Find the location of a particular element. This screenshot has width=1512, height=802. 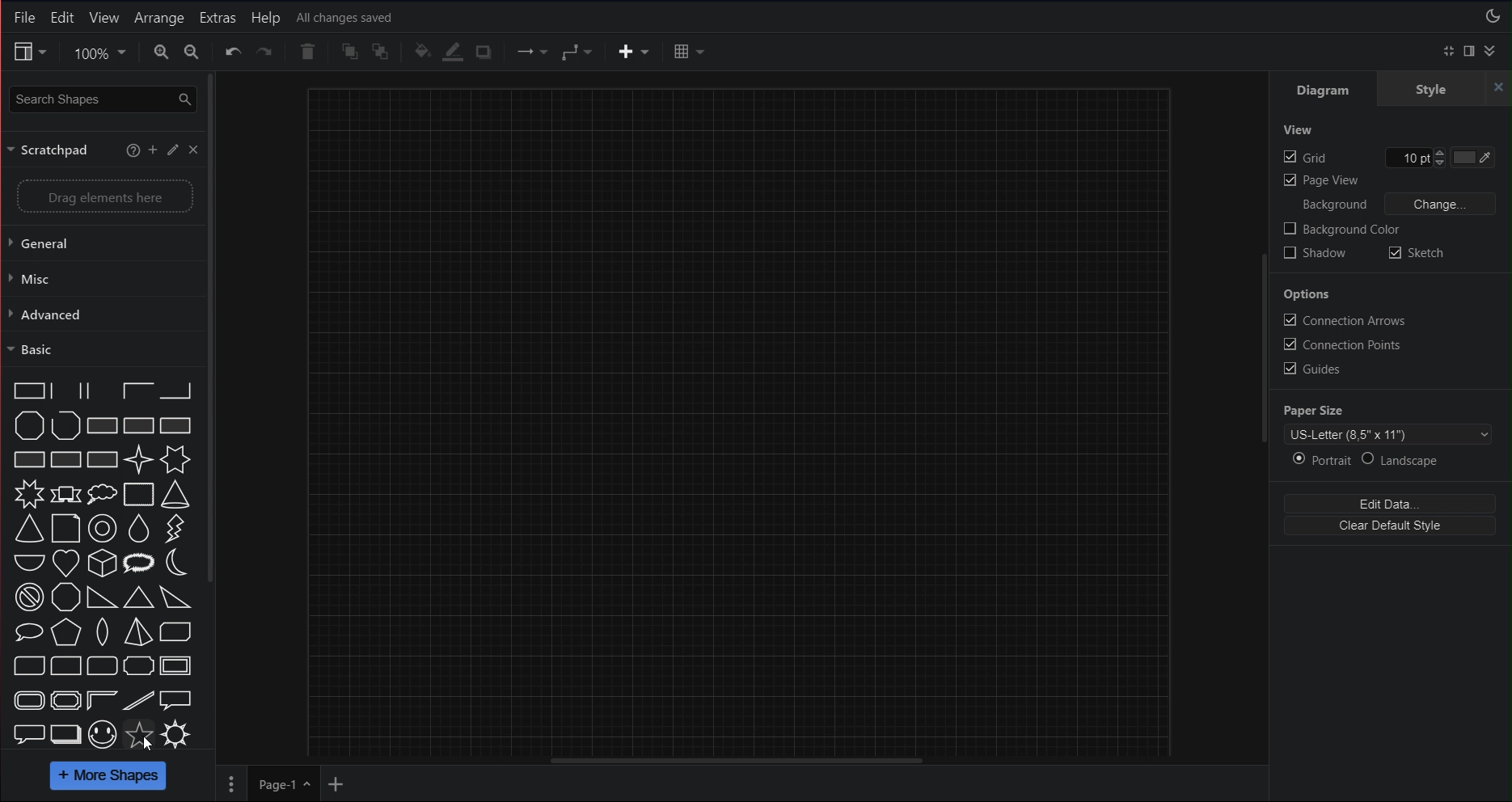

rounded frame is located at coordinates (30, 700).